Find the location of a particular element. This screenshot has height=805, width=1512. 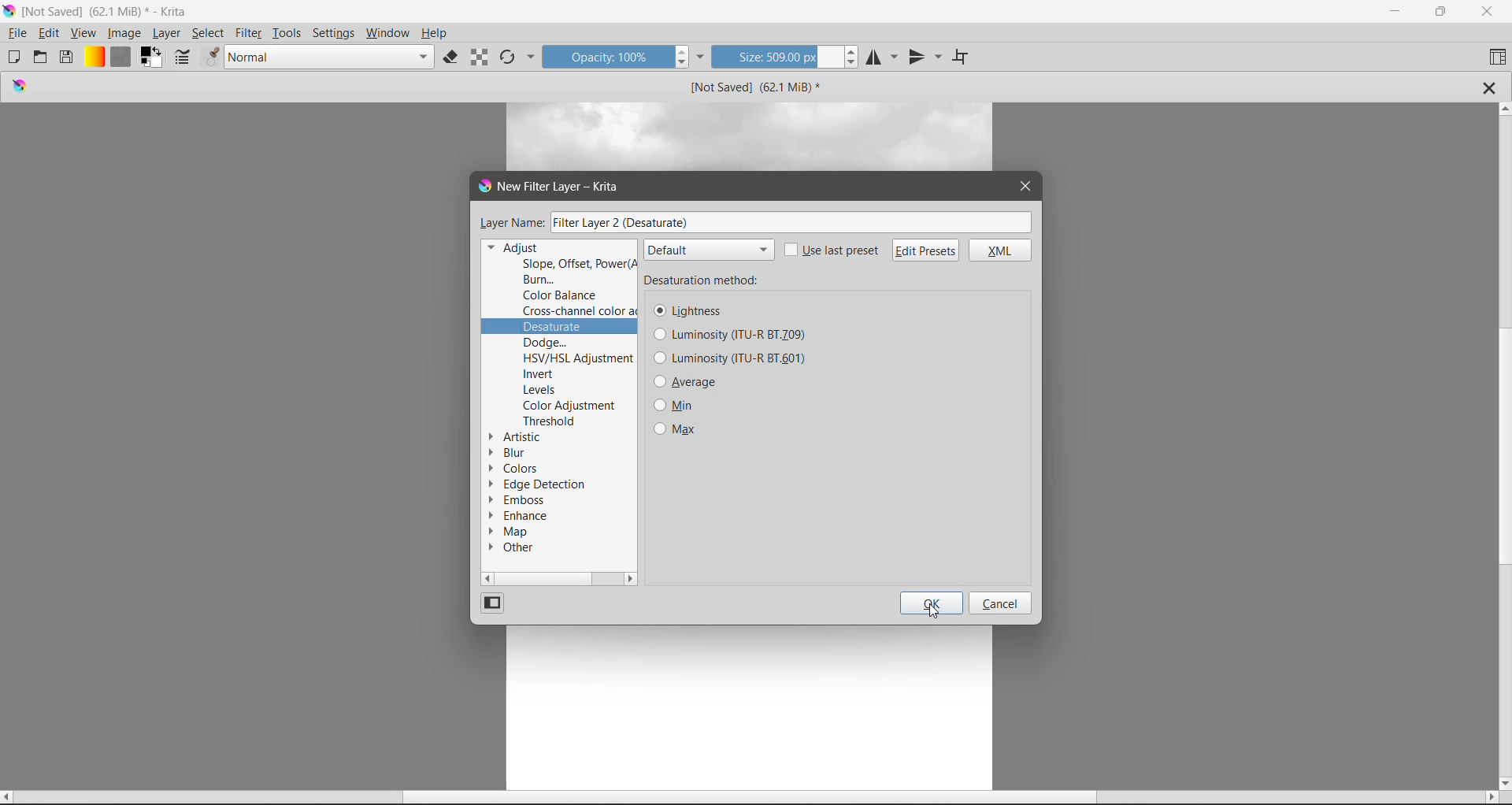

Filter Layer 2(Desaturate) is located at coordinates (792, 223).